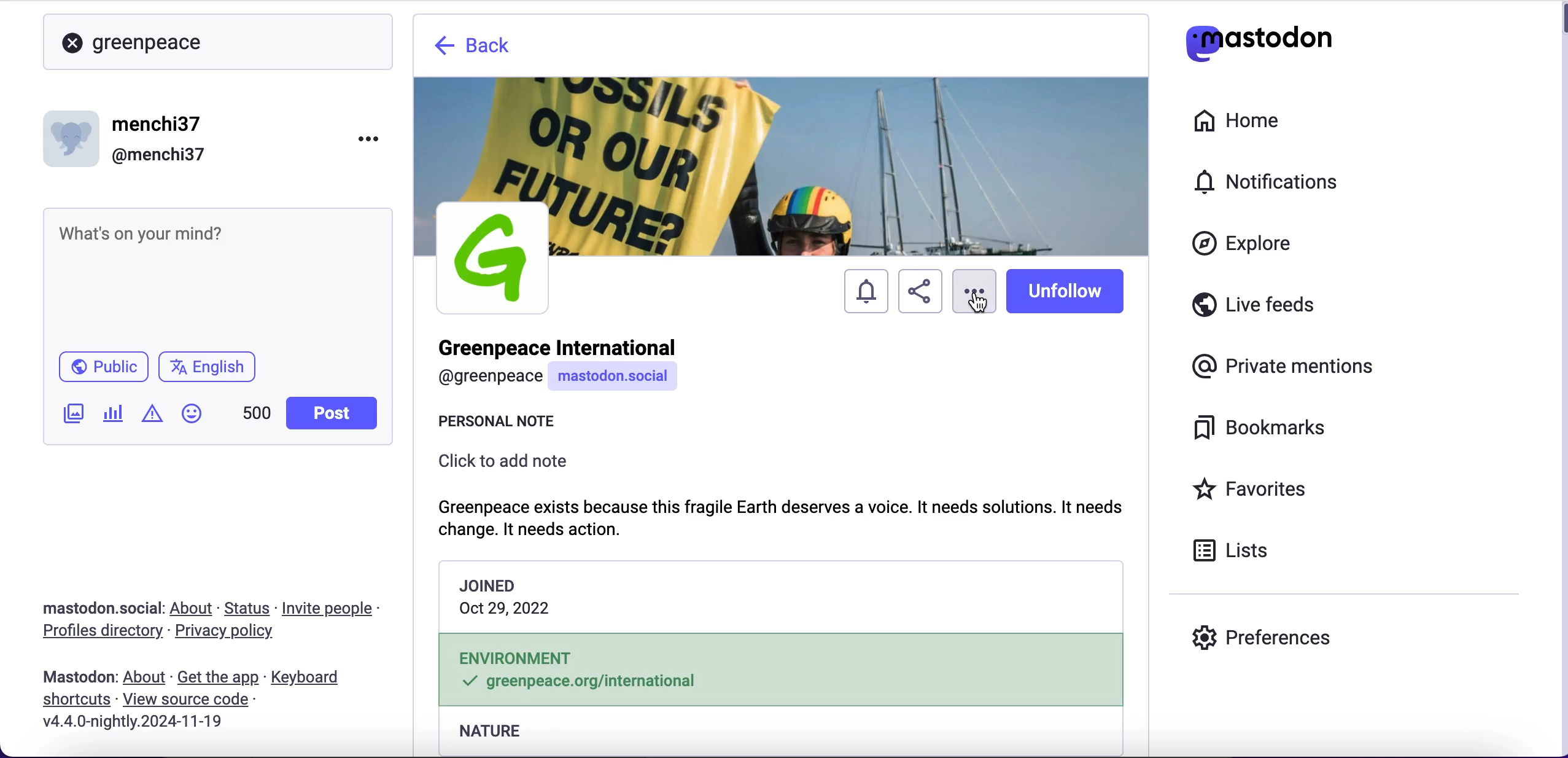  Describe the element at coordinates (793, 514) in the screenshot. I see `note` at that location.